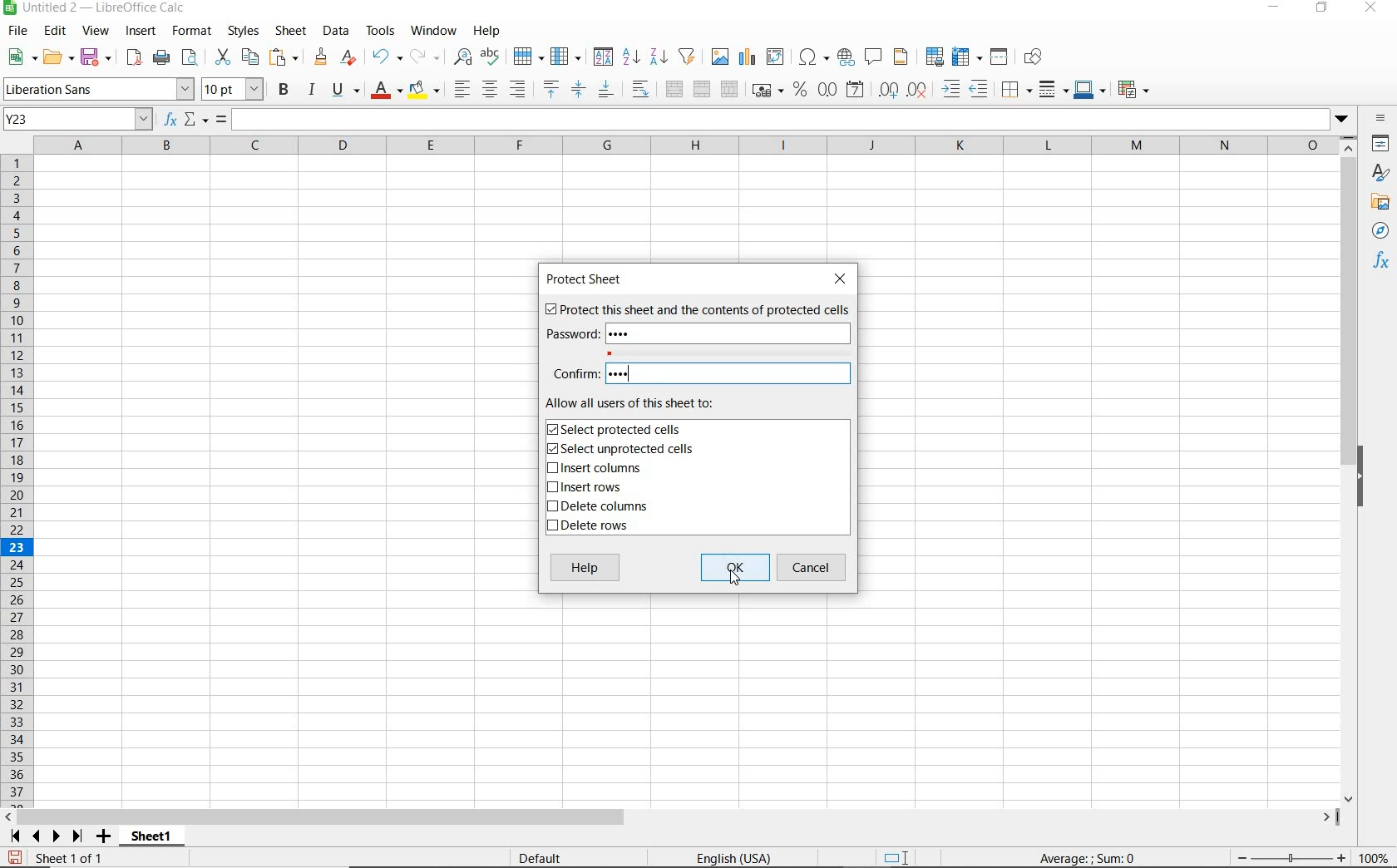  I want to click on PASTE, so click(284, 57).